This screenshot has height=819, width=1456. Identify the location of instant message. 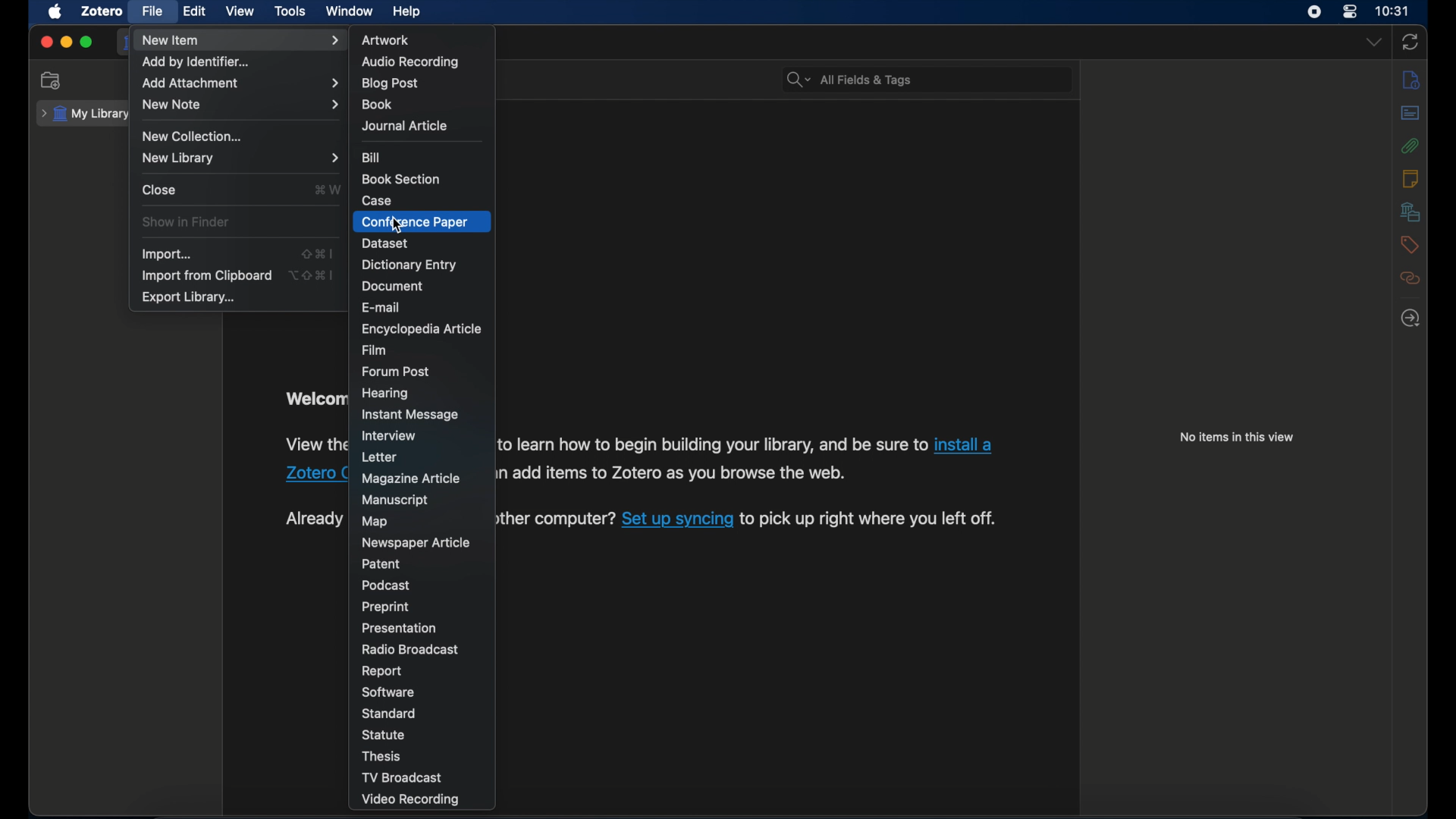
(409, 415).